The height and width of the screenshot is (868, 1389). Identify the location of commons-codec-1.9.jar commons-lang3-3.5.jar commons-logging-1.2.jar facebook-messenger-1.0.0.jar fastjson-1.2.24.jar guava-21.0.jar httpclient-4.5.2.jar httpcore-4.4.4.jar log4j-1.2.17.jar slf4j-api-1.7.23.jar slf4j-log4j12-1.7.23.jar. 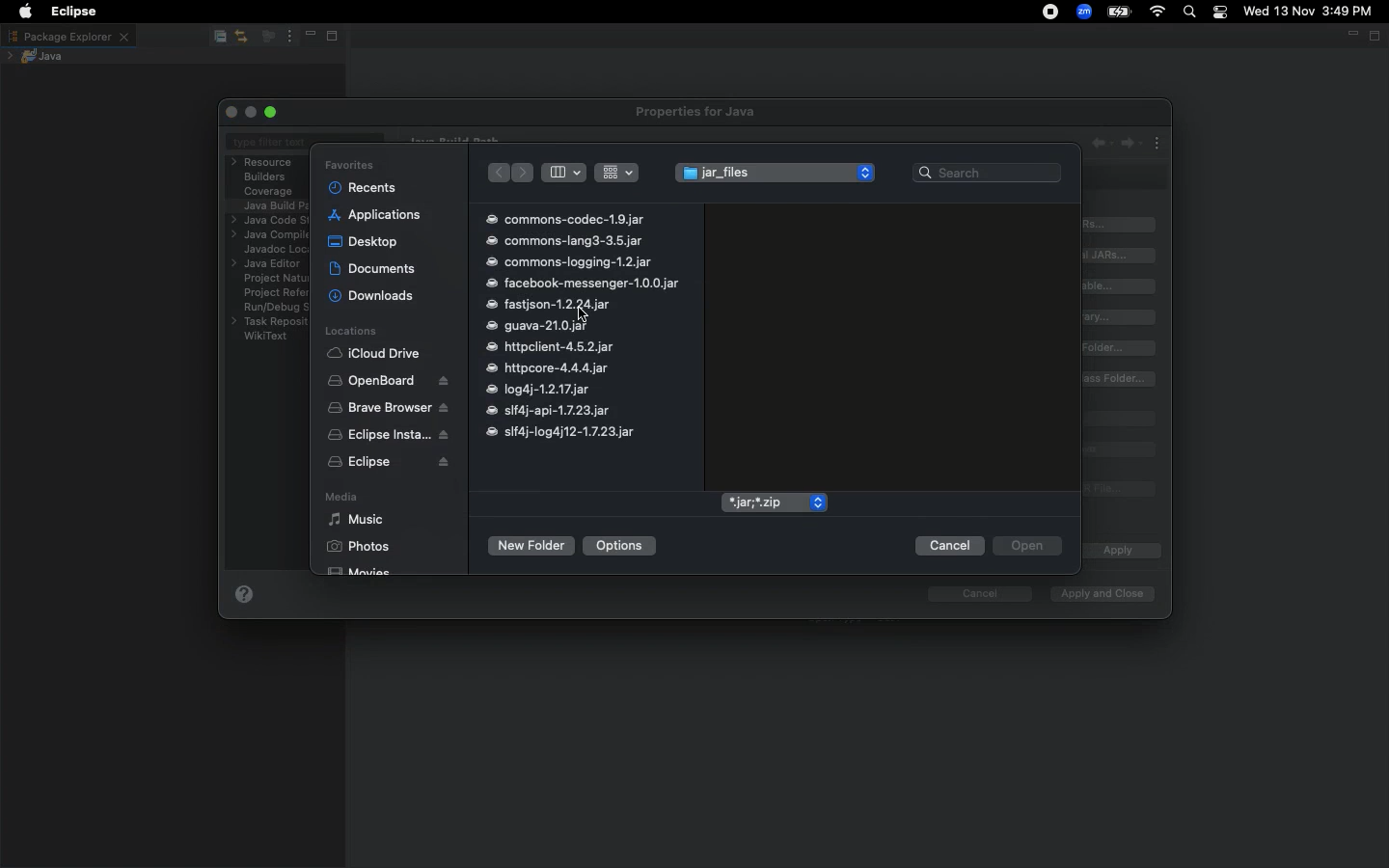
(582, 326).